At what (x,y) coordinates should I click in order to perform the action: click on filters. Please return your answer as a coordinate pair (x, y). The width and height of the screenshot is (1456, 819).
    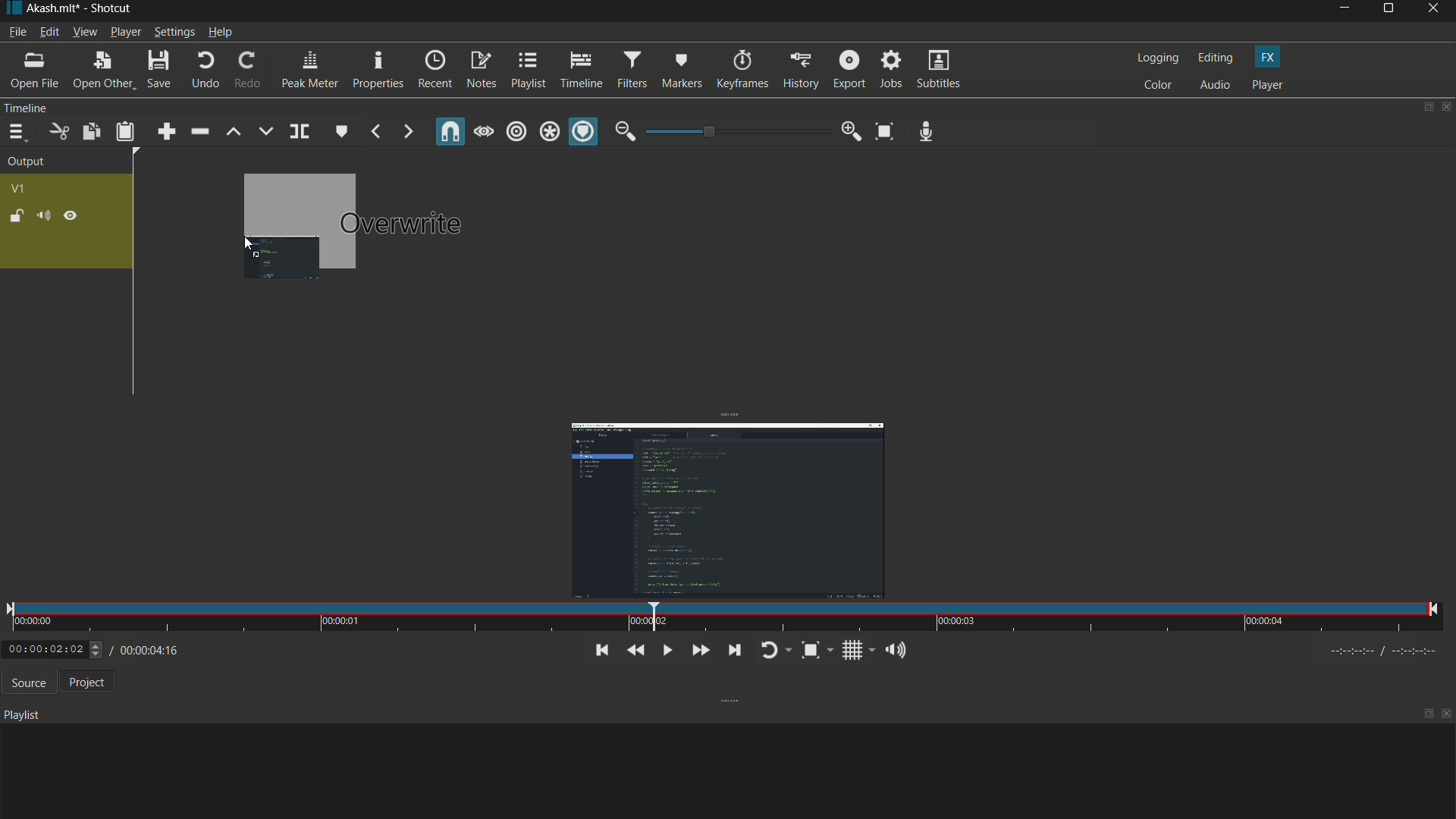
    Looking at the image, I should click on (632, 69).